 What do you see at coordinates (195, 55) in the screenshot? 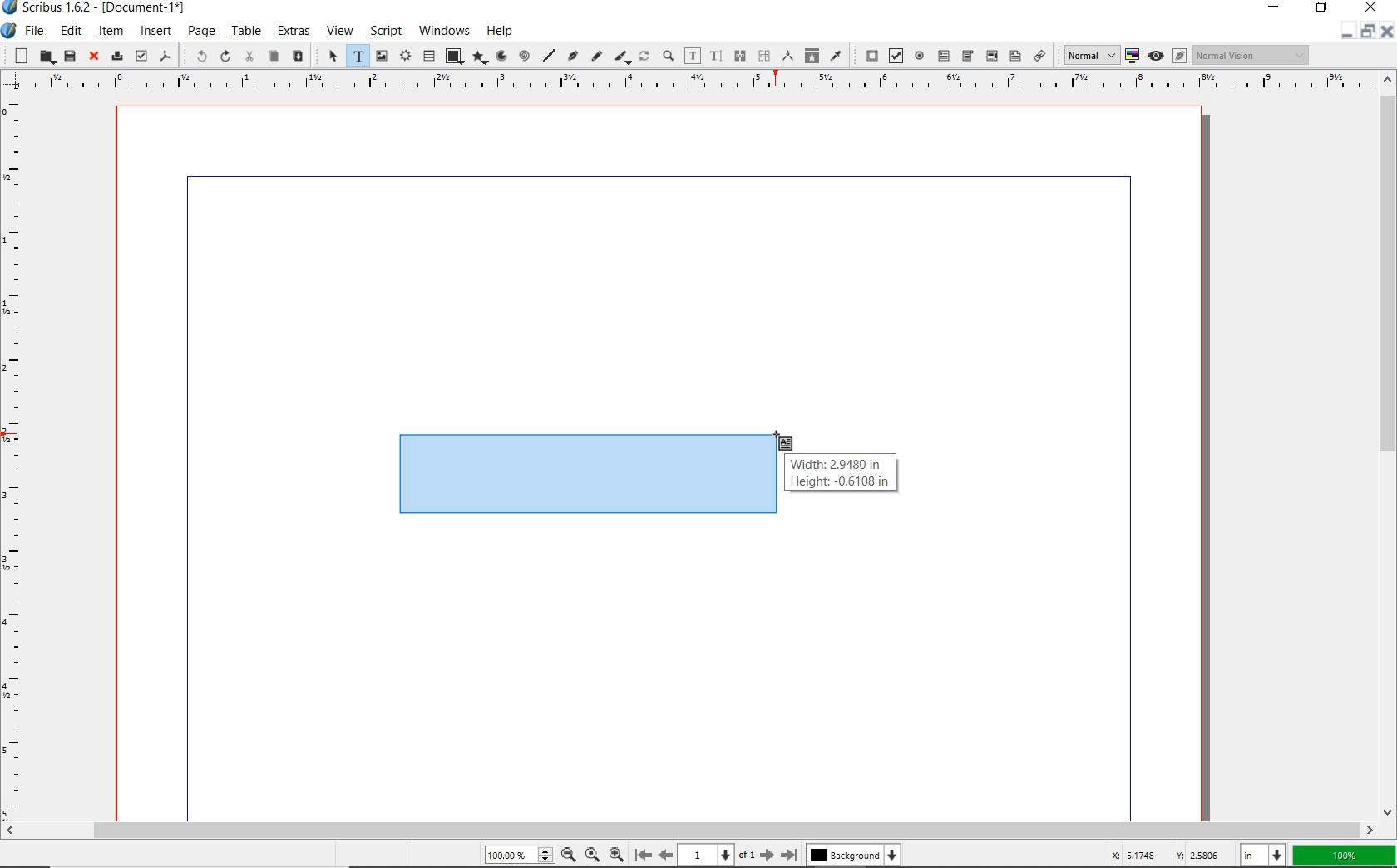
I see `undo` at bounding box center [195, 55].